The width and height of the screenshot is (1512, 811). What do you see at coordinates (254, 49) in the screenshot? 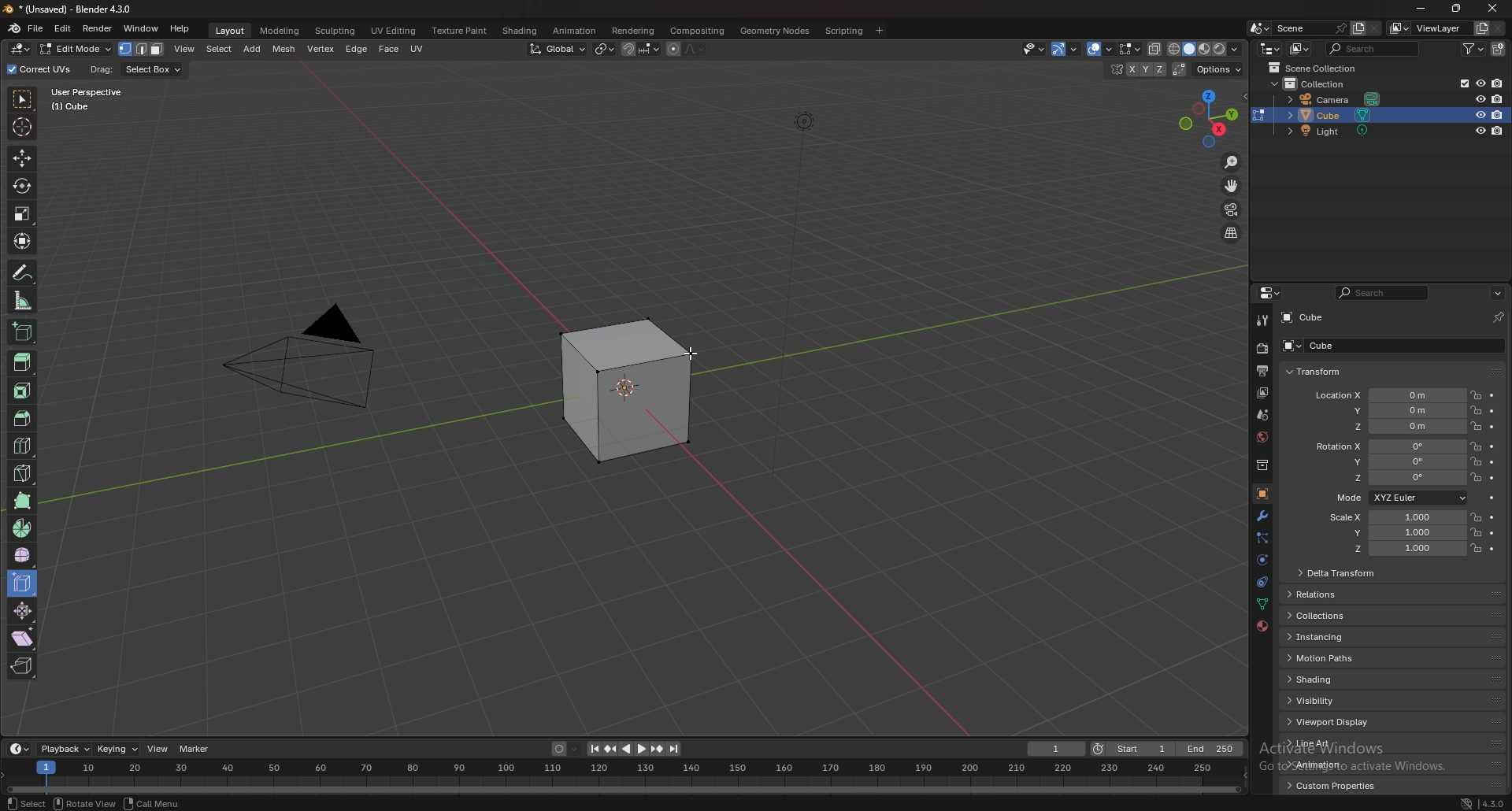
I see `add` at bounding box center [254, 49].